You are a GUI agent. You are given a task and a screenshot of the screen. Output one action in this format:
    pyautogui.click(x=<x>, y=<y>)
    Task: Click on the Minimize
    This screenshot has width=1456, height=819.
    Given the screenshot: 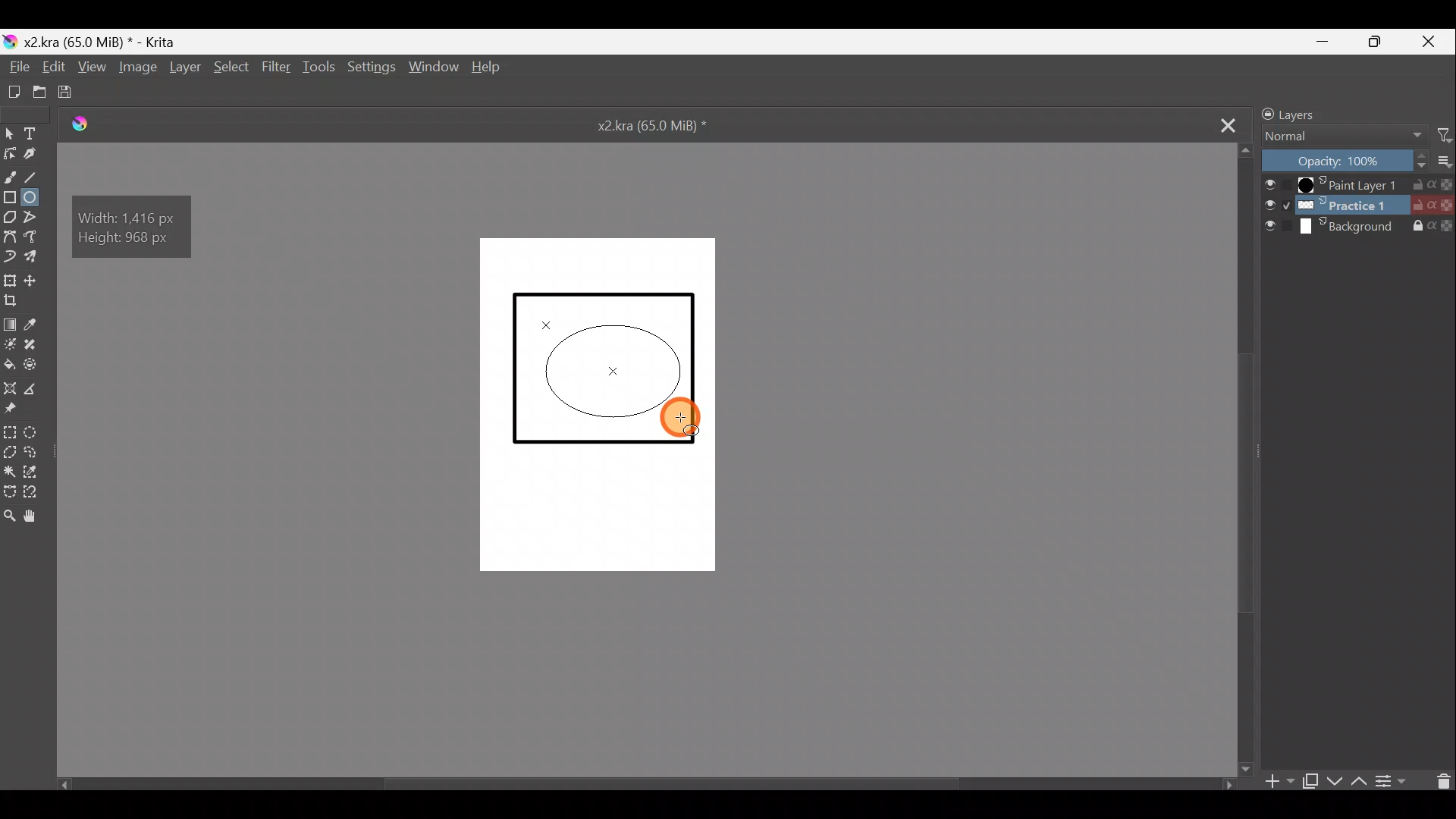 What is the action you would take?
    pyautogui.click(x=1332, y=42)
    